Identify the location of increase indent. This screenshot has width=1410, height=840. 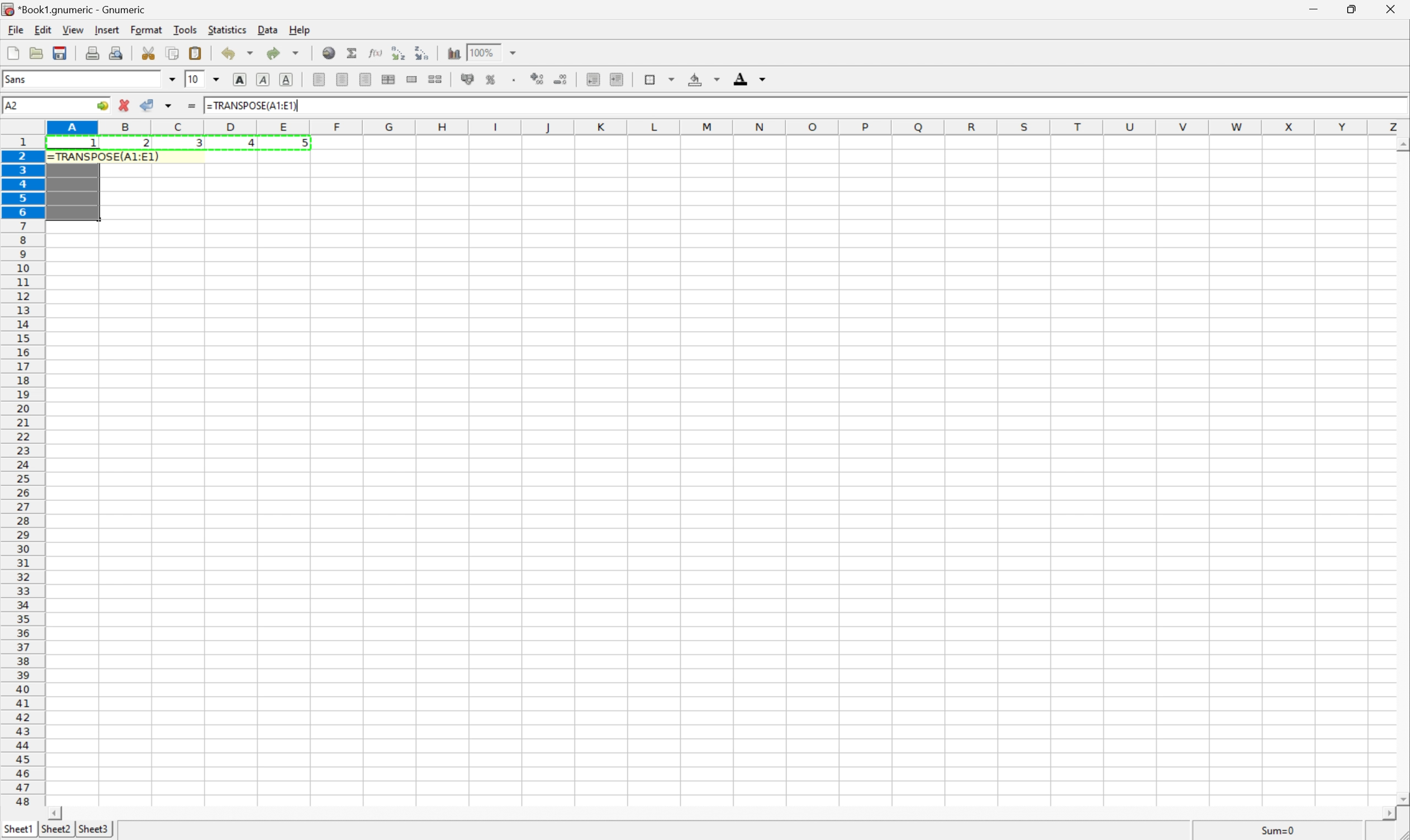
(615, 79).